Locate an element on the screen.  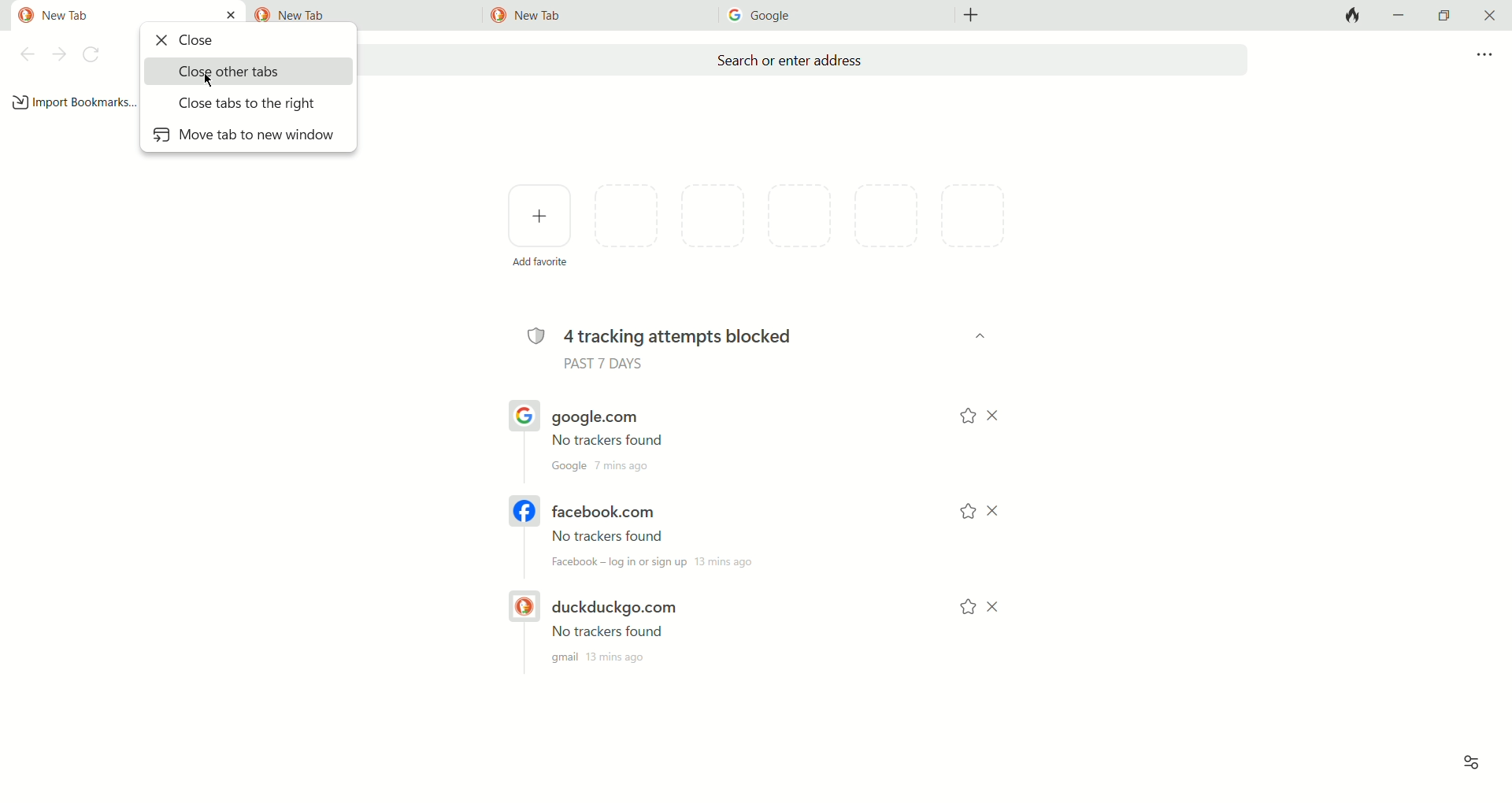
close is located at coordinates (995, 609).